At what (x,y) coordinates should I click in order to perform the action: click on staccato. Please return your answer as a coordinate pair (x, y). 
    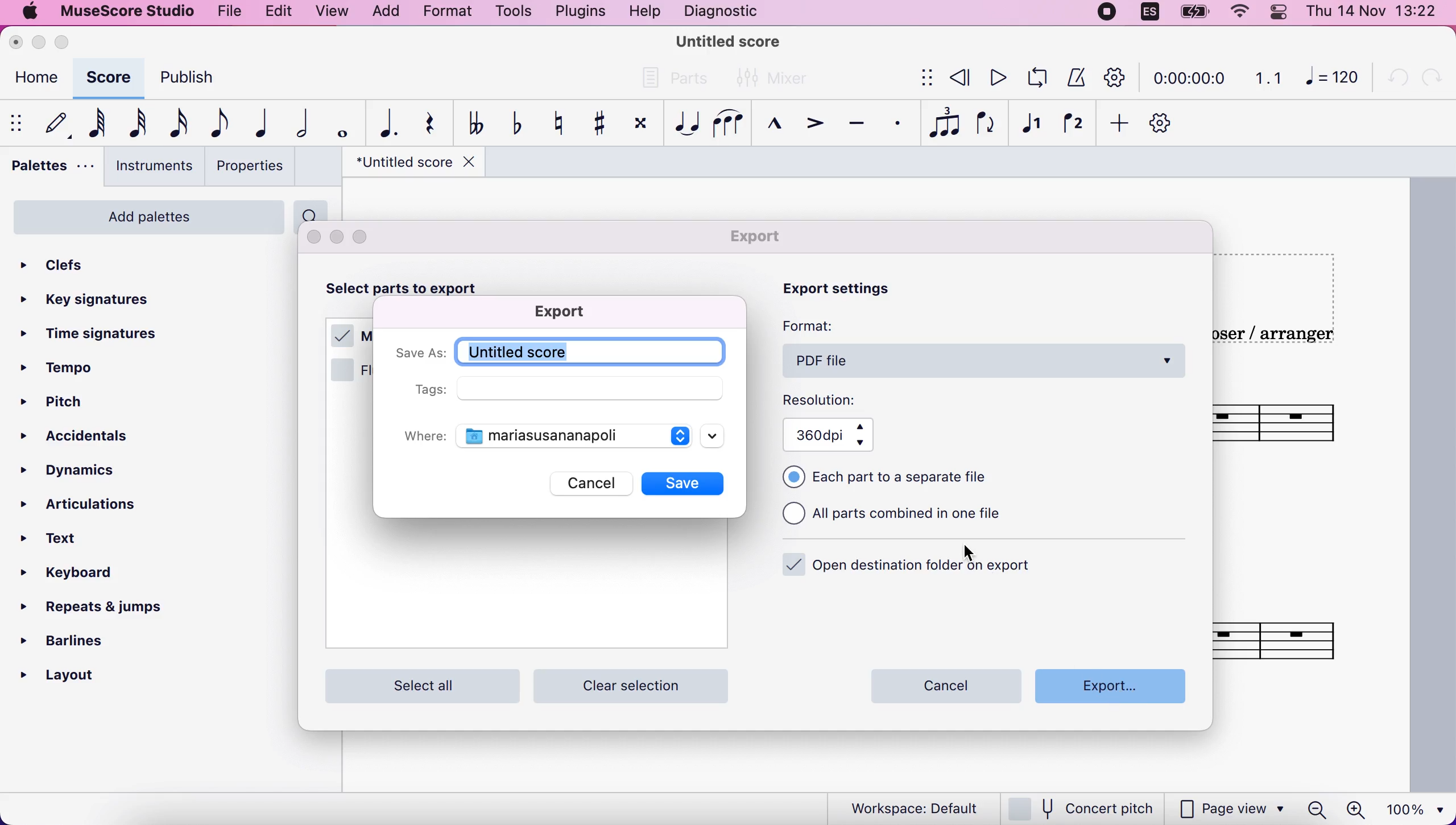
    Looking at the image, I should click on (895, 125).